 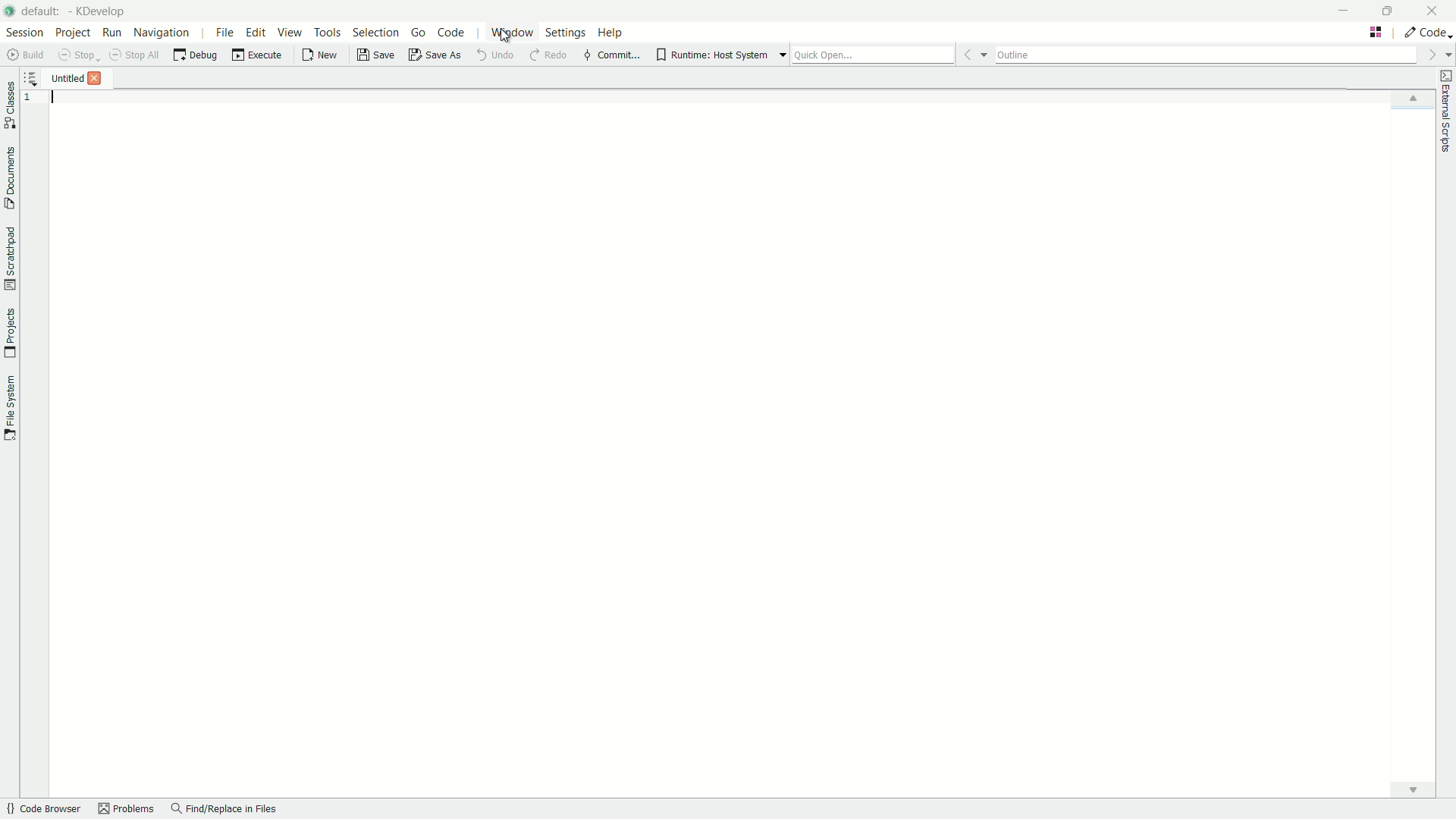 What do you see at coordinates (44, 808) in the screenshot?
I see `quick browser` at bounding box center [44, 808].